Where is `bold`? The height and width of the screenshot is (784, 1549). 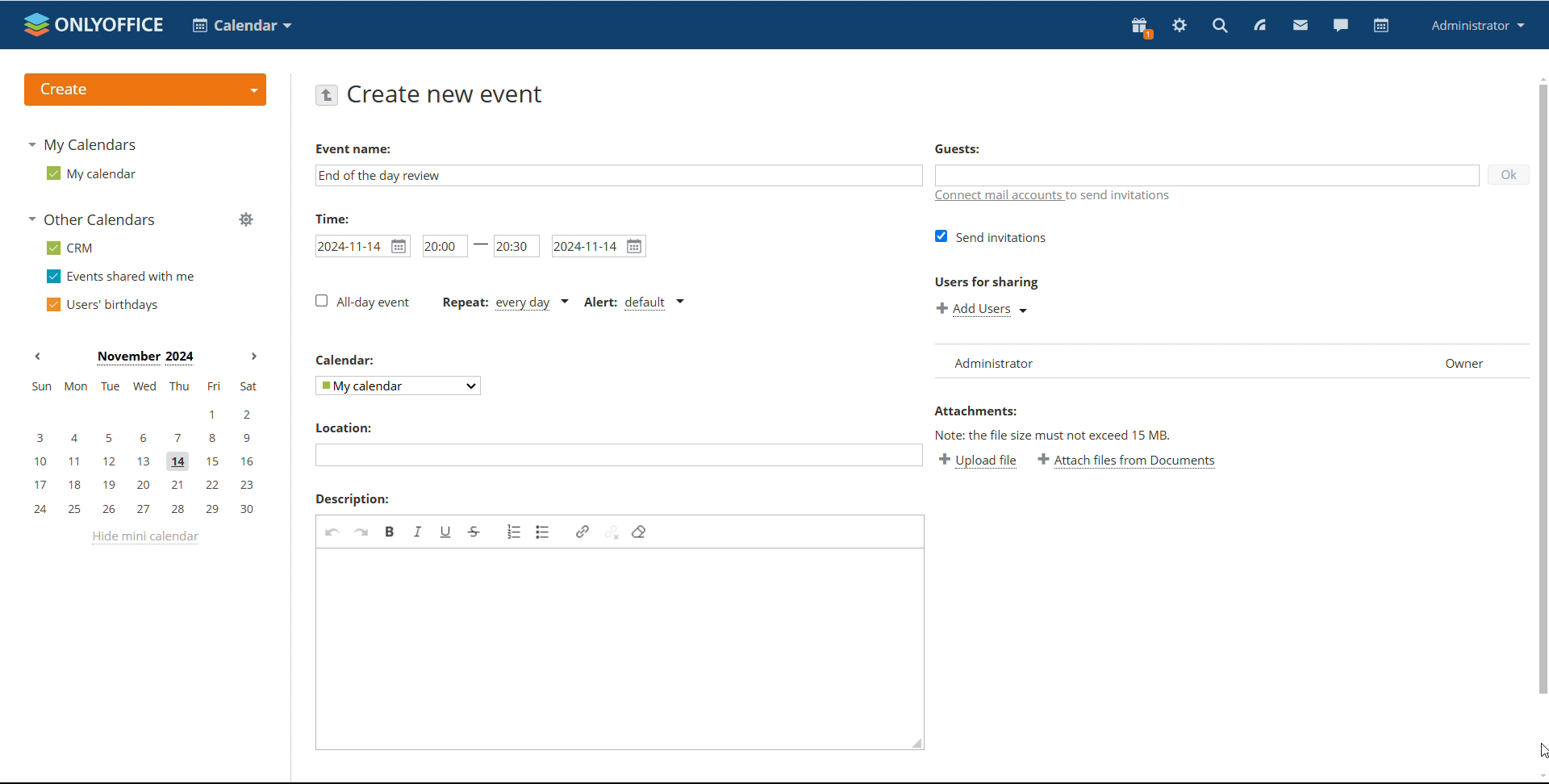 bold is located at coordinates (390, 531).